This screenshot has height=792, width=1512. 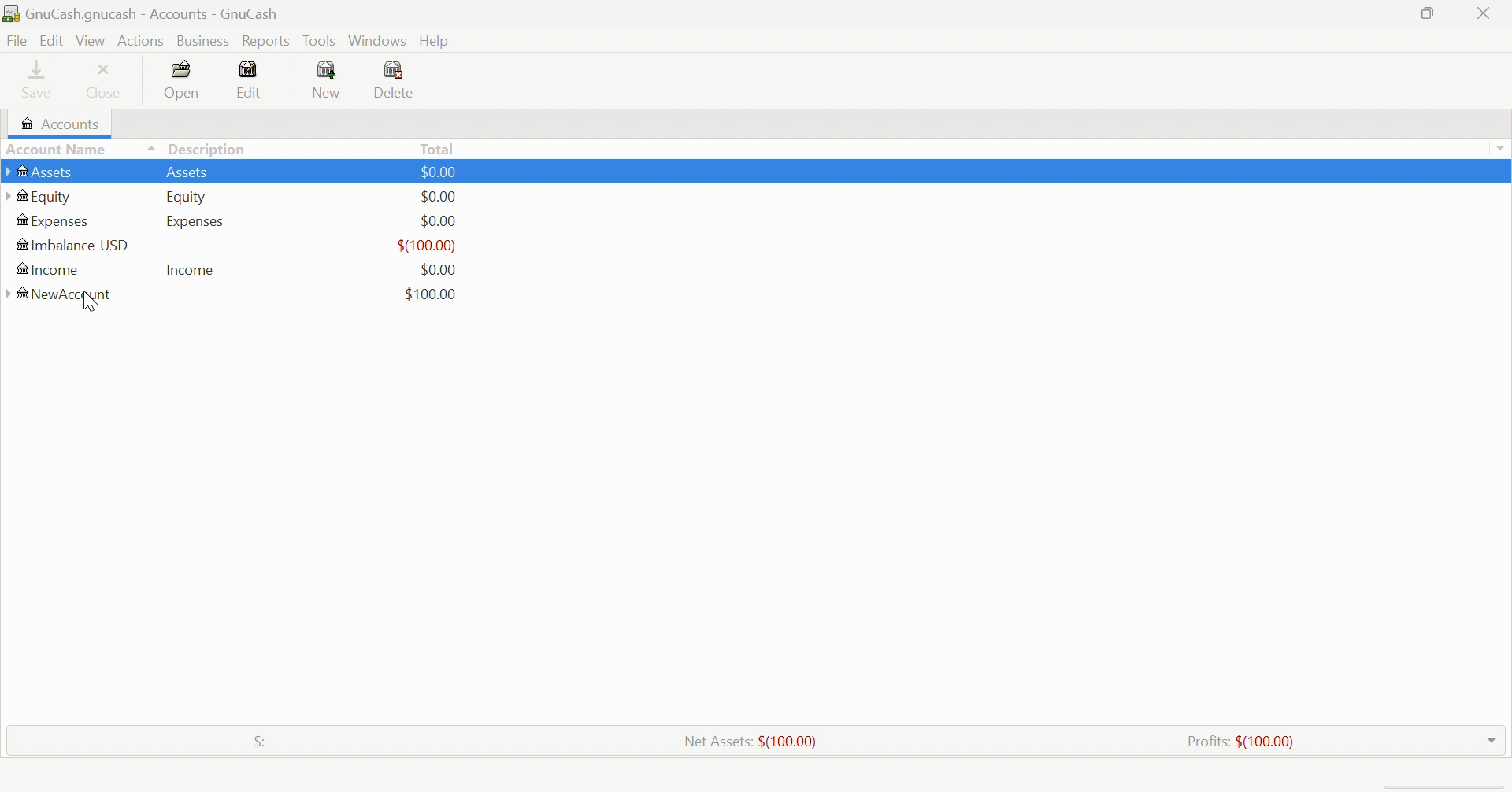 I want to click on Expenses, so click(x=195, y=223).